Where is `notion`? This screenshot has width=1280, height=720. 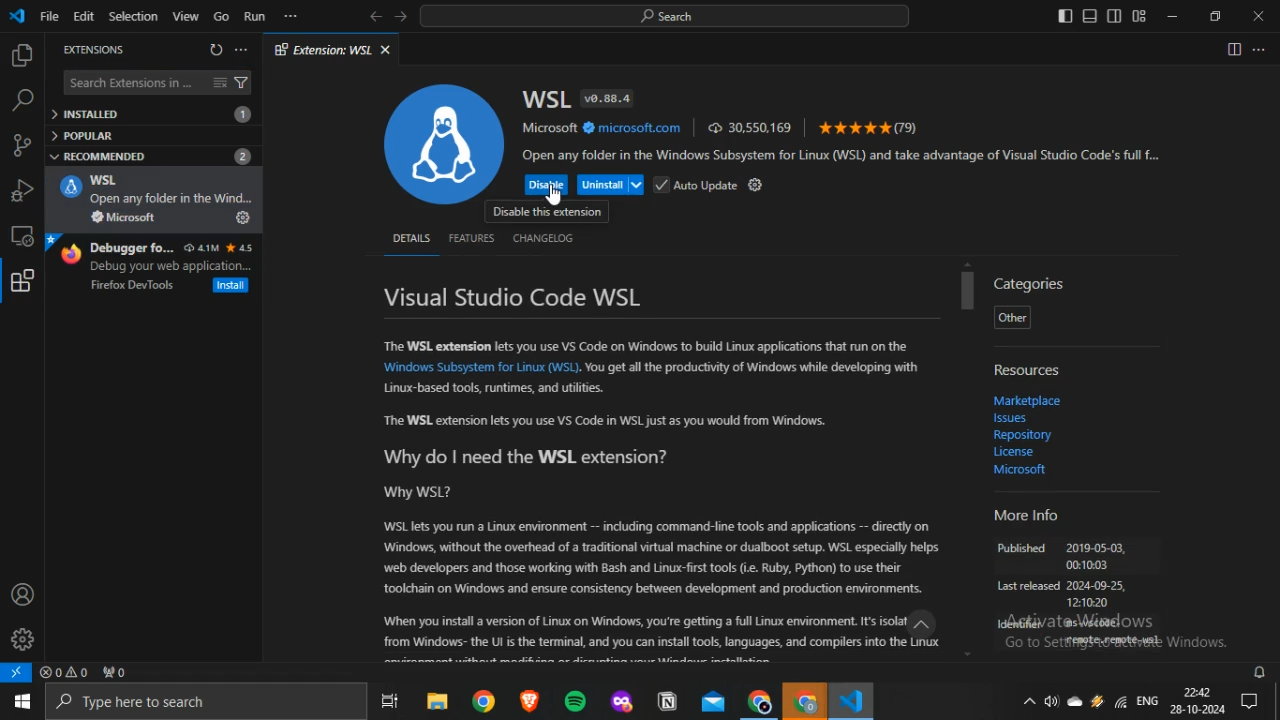
notion is located at coordinates (668, 700).